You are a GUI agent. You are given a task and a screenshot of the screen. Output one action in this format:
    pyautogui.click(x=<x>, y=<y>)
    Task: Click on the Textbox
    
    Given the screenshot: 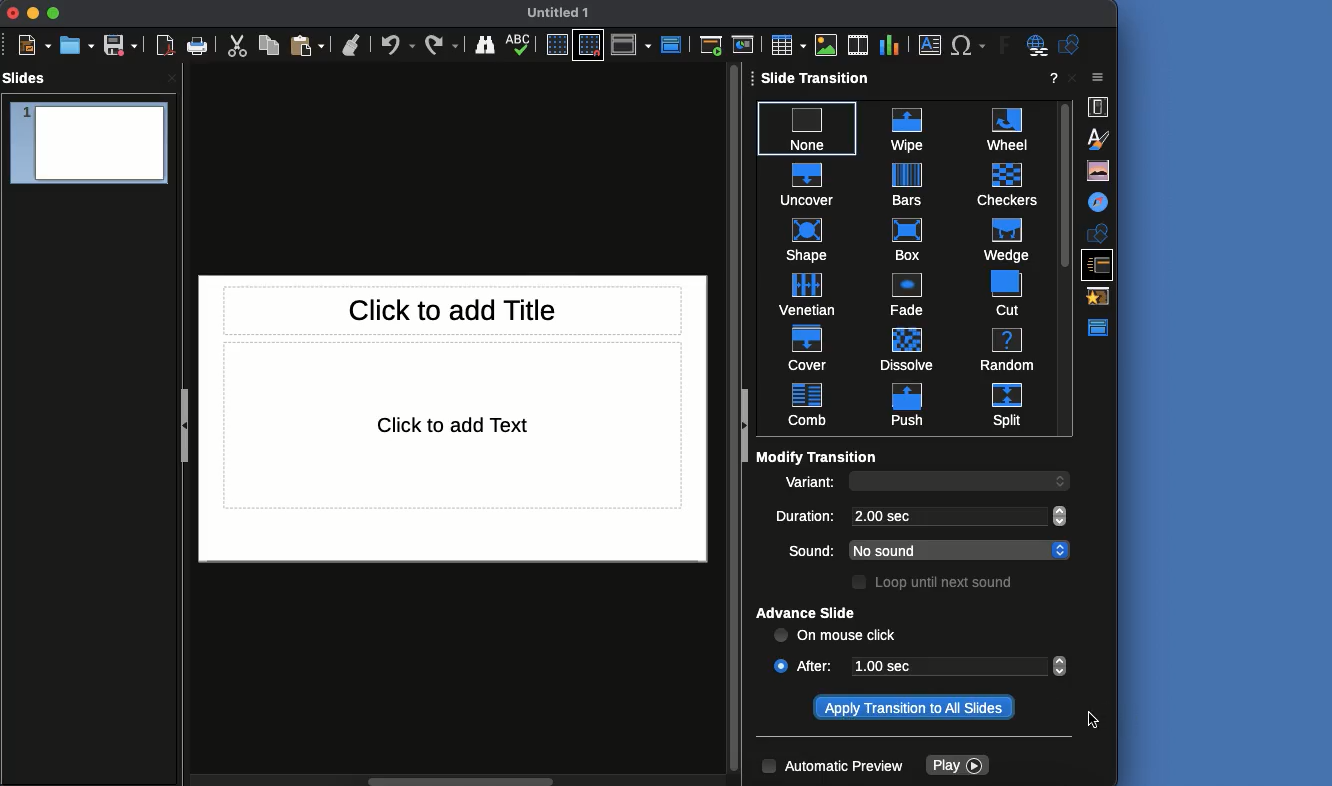 What is the action you would take?
    pyautogui.click(x=931, y=46)
    